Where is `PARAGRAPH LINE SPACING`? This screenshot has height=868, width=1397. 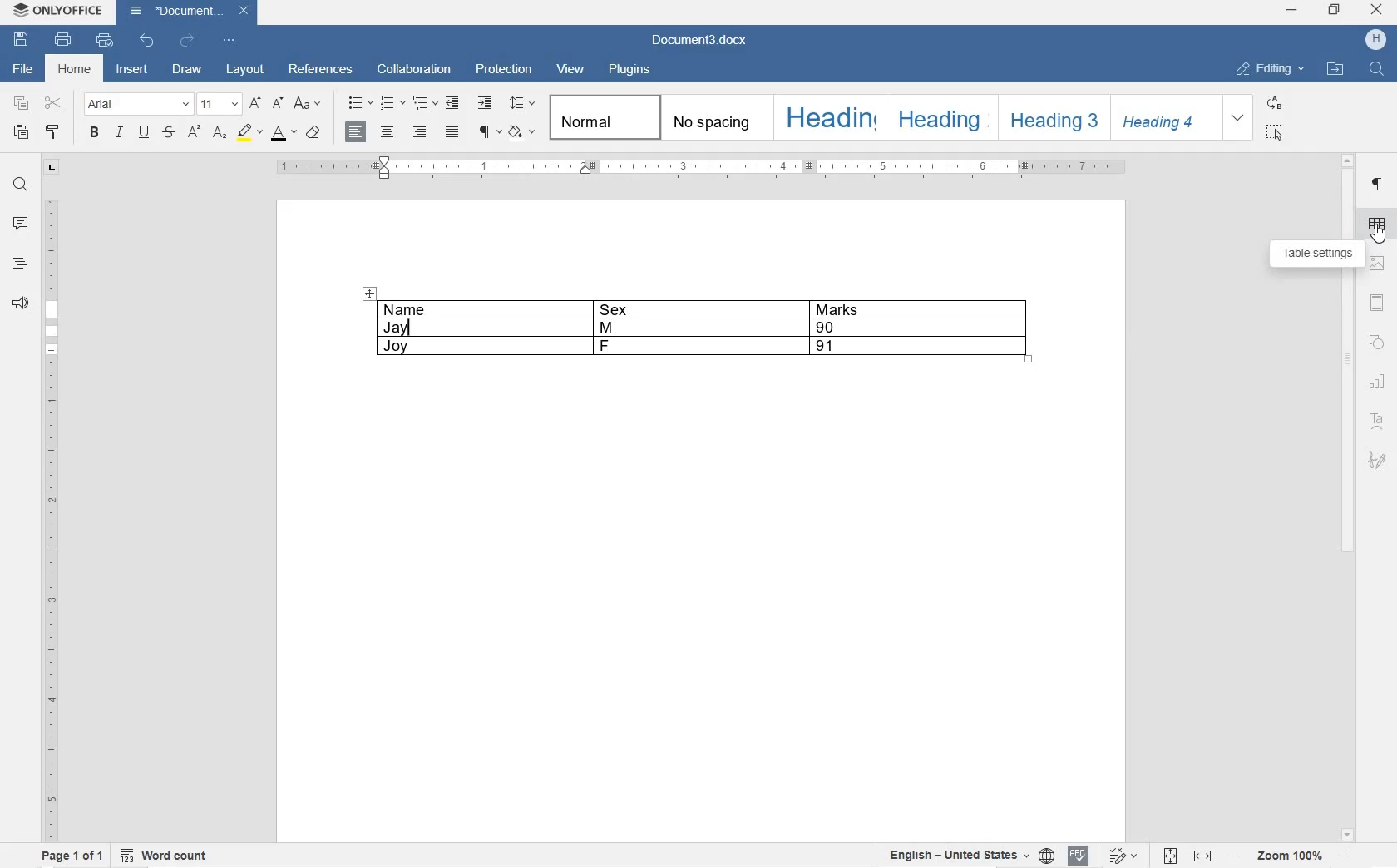
PARAGRAPH LINE SPACING is located at coordinates (521, 104).